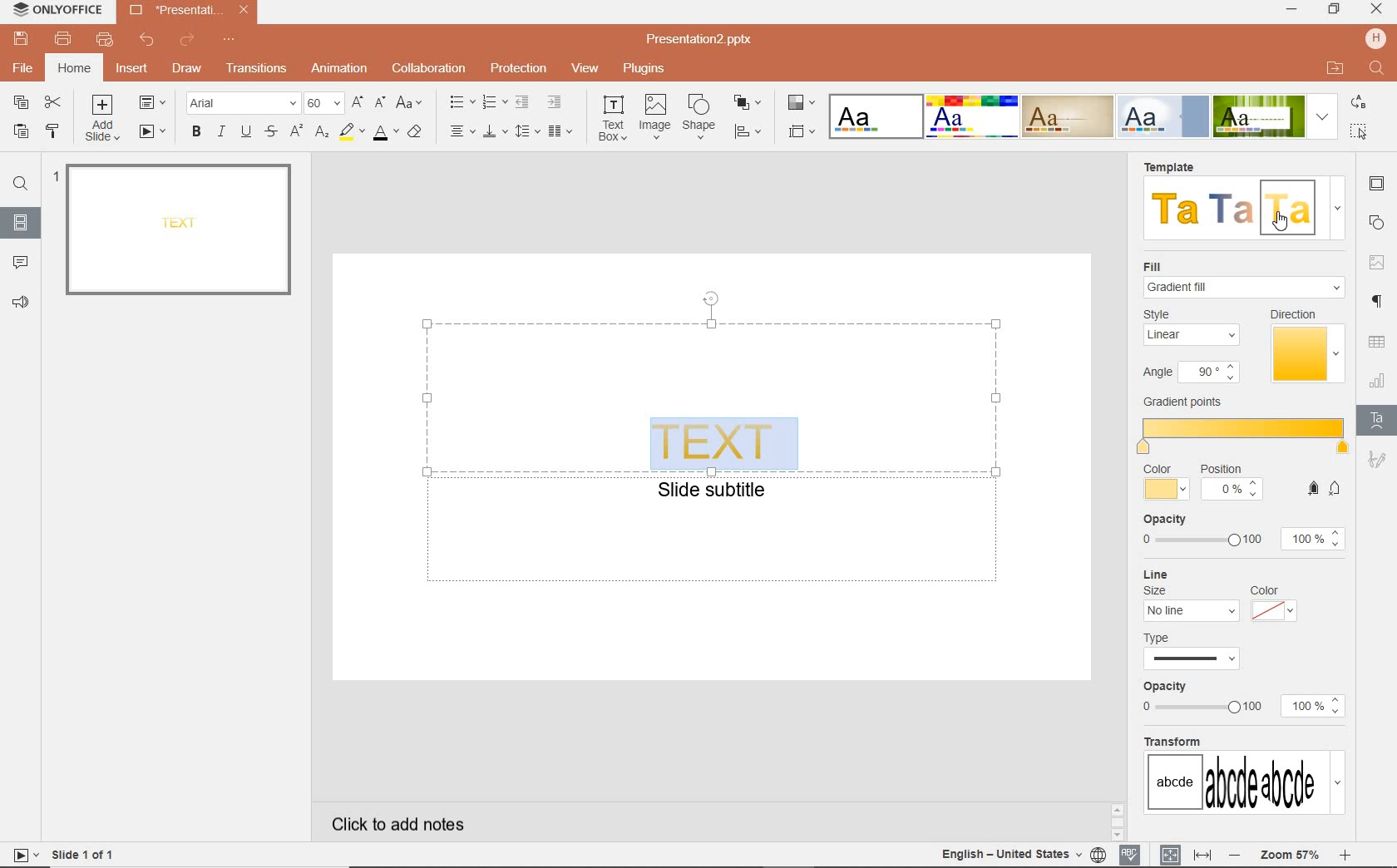  What do you see at coordinates (1286, 209) in the screenshot?
I see `template` at bounding box center [1286, 209].